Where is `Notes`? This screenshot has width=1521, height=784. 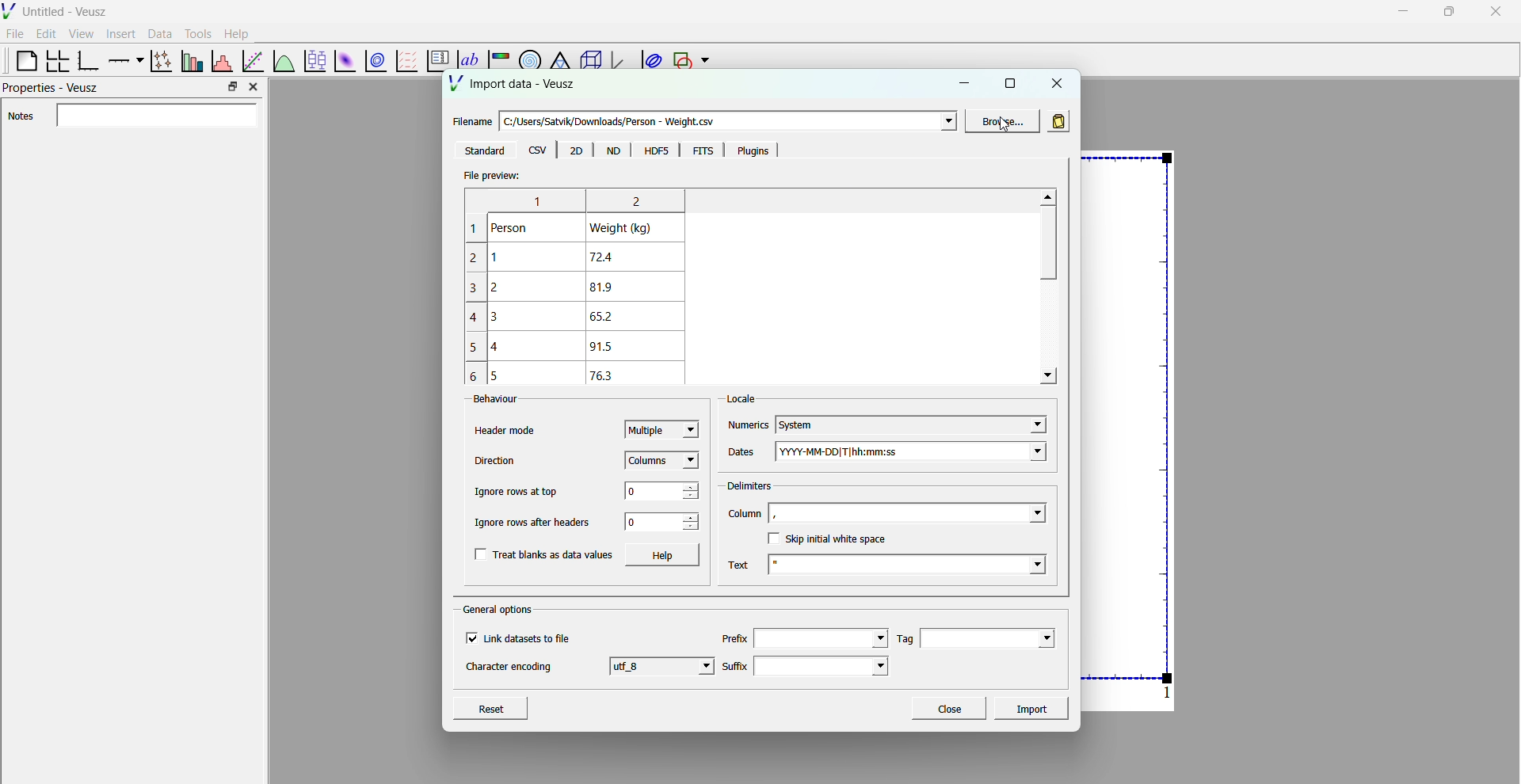 Notes is located at coordinates (135, 116).